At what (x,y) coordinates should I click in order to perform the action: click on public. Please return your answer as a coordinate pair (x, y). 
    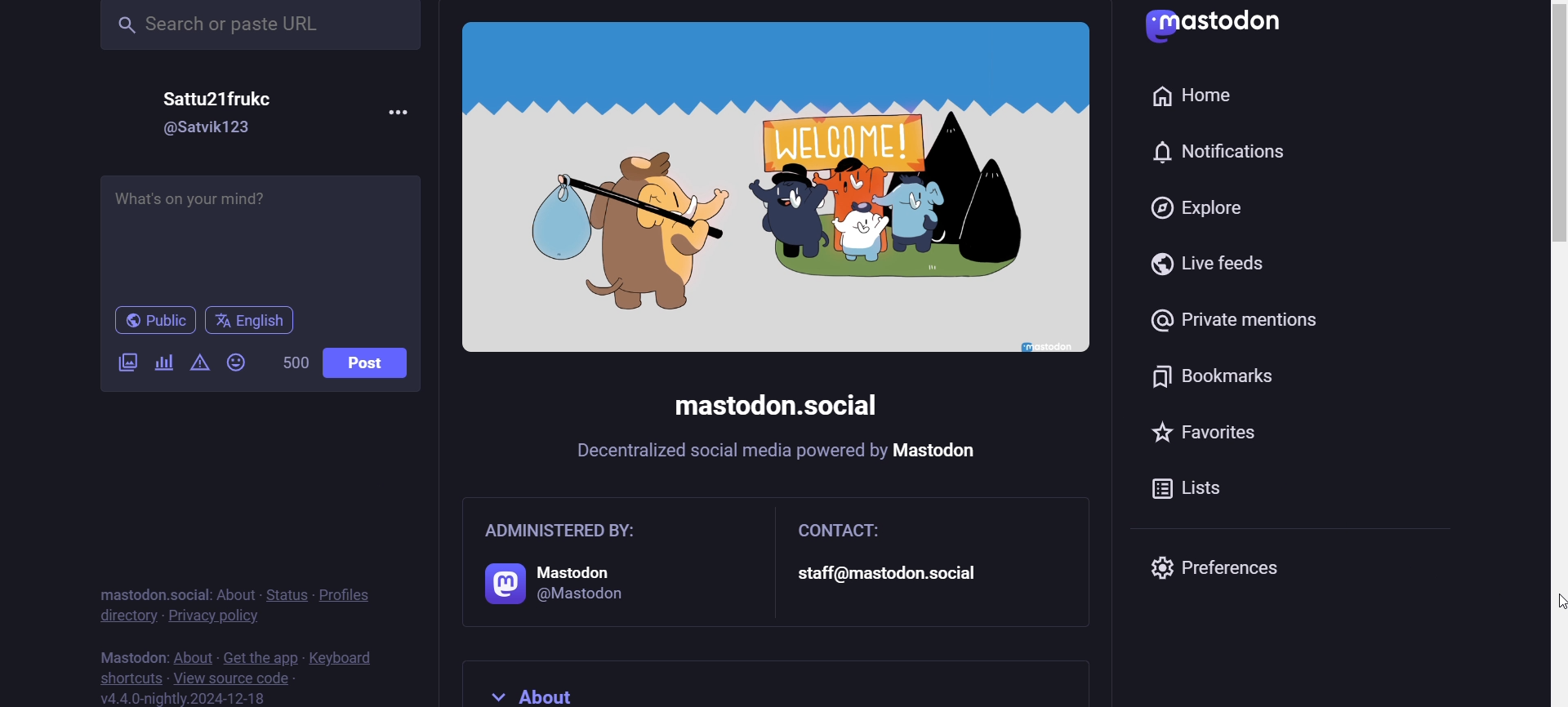
    Looking at the image, I should click on (148, 320).